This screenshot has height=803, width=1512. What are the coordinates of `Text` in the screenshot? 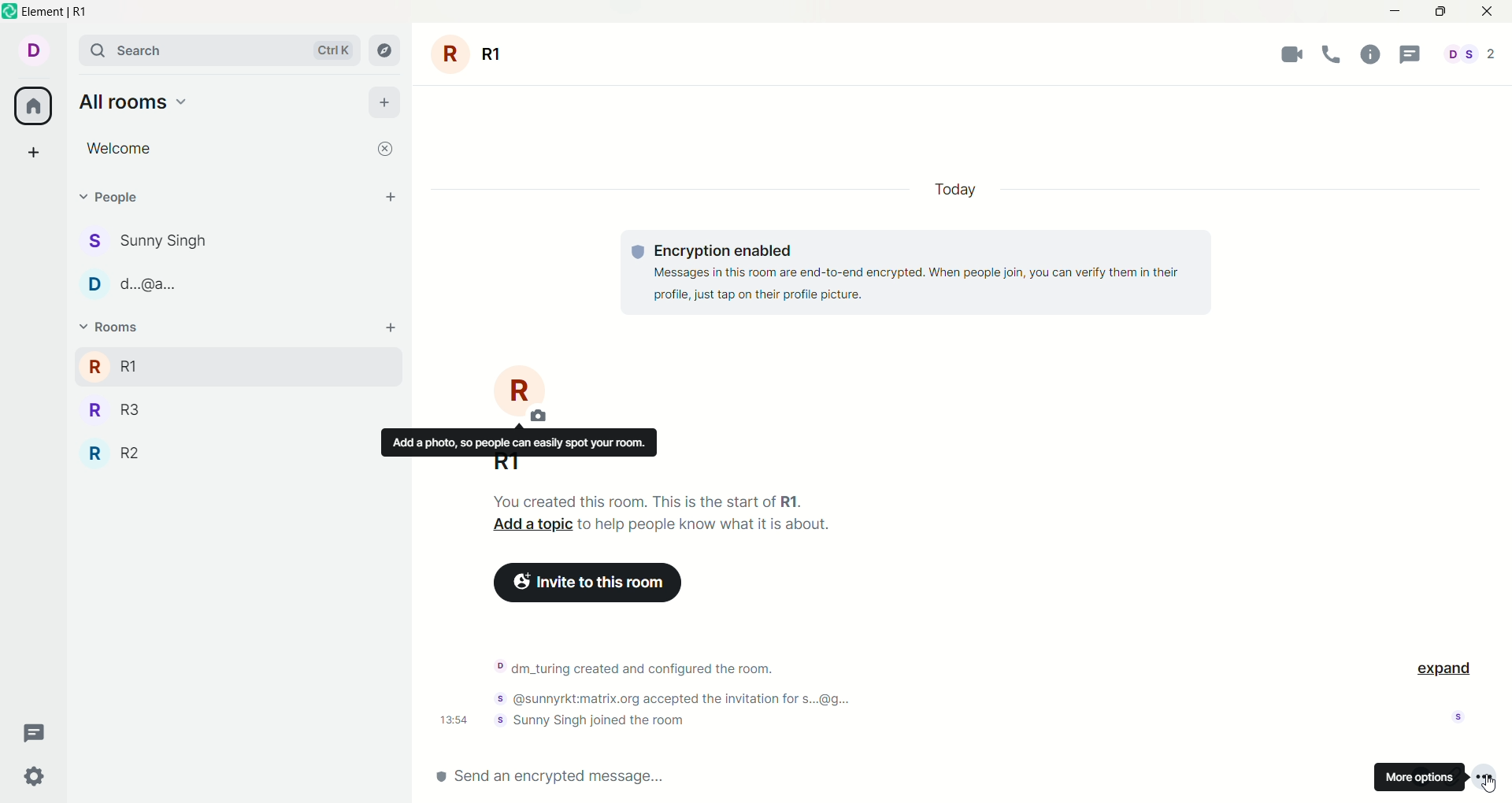 It's located at (706, 524).